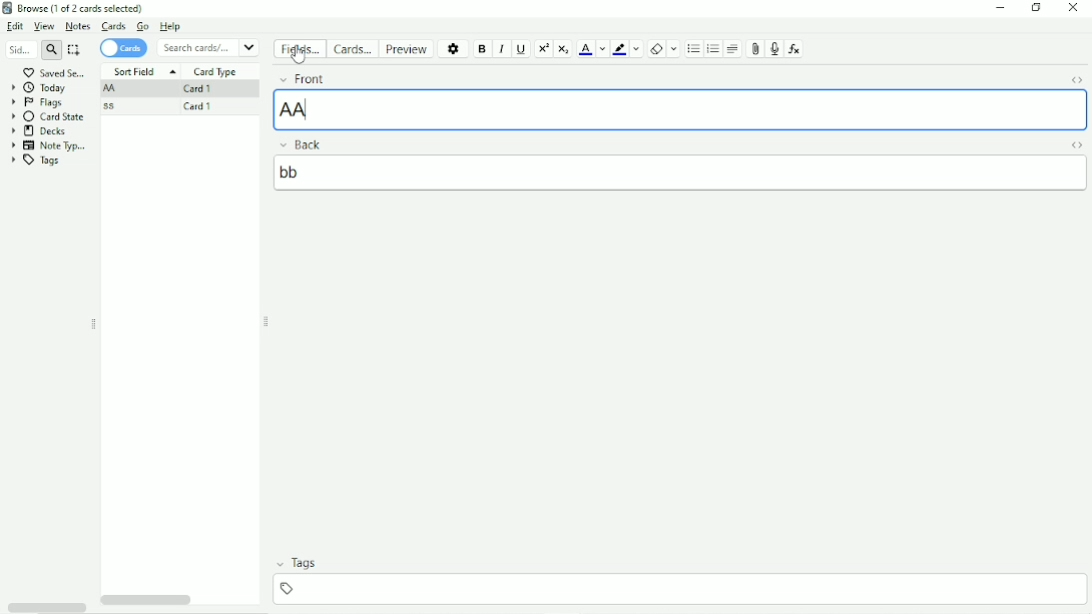 The height and width of the screenshot is (614, 1092). Describe the element at coordinates (203, 89) in the screenshot. I see `Card 1` at that location.